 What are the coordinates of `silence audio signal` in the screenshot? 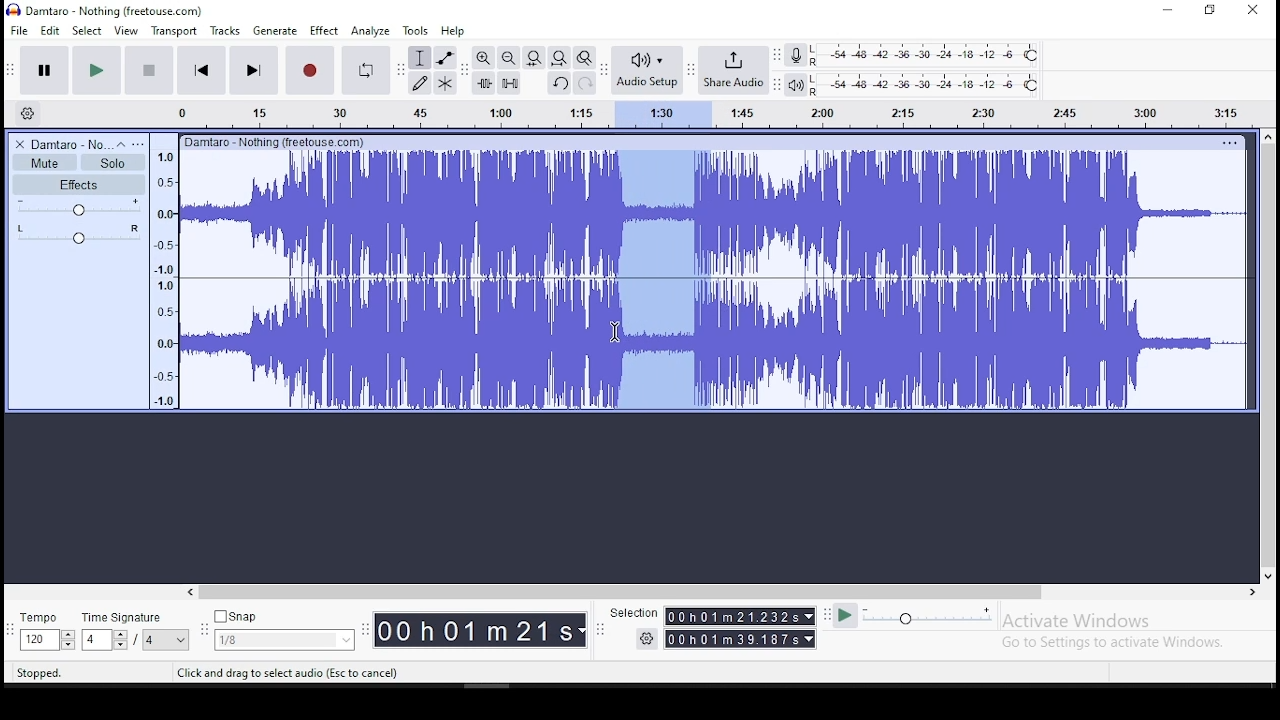 It's located at (510, 83).